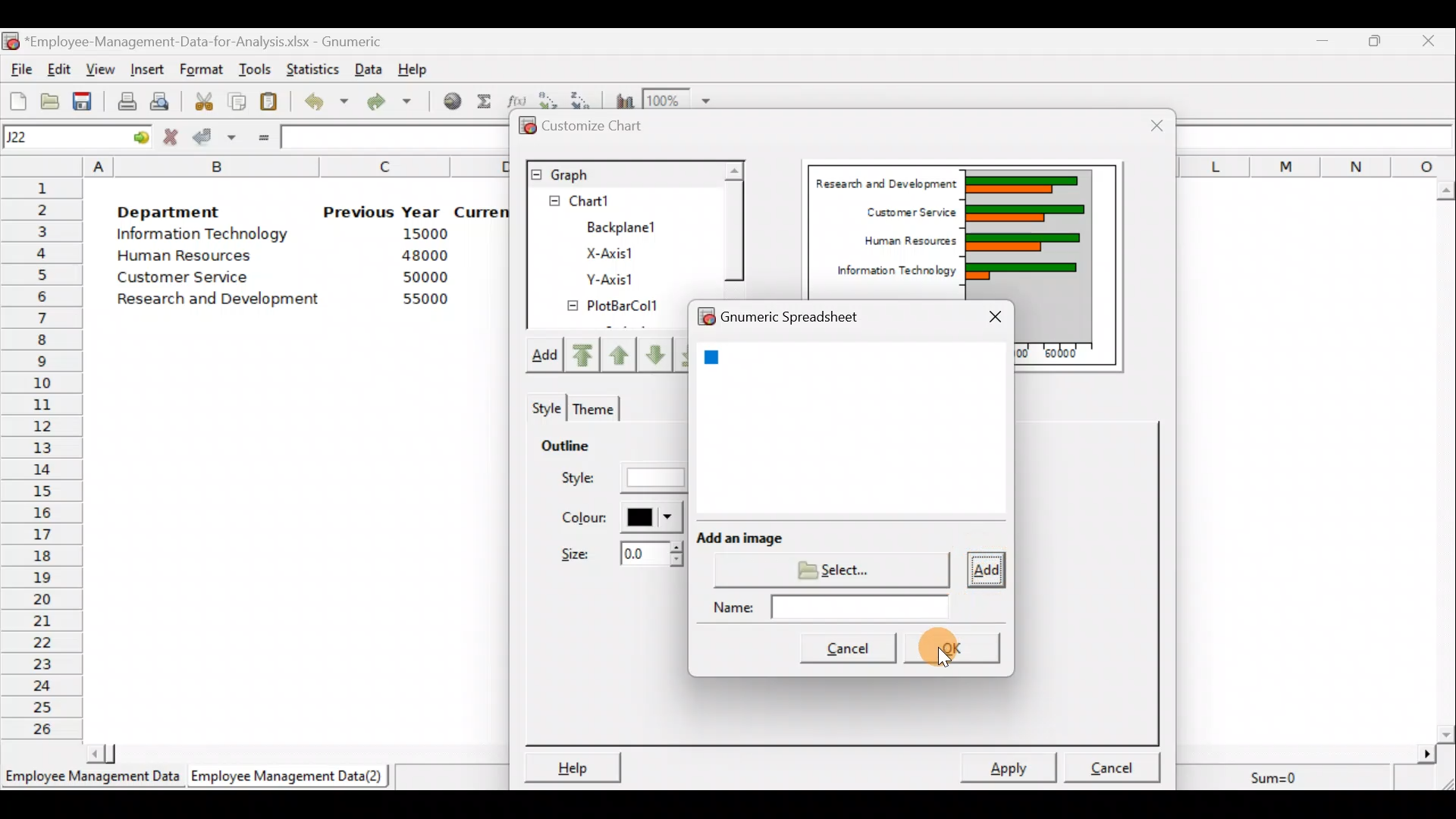 The image size is (1456, 819). I want to click on Department, so click(180, 212).